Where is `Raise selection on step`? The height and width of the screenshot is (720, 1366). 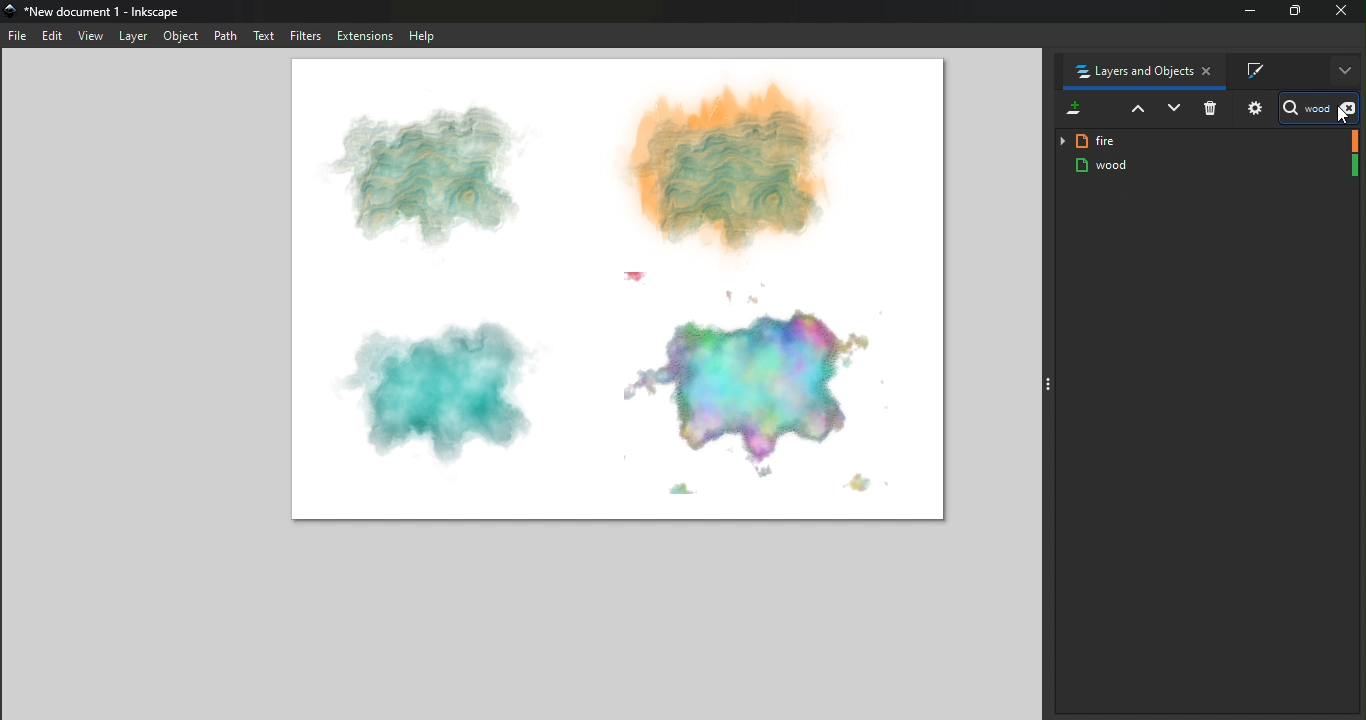
Raise selection on step is located at coordinates (1141, 109).